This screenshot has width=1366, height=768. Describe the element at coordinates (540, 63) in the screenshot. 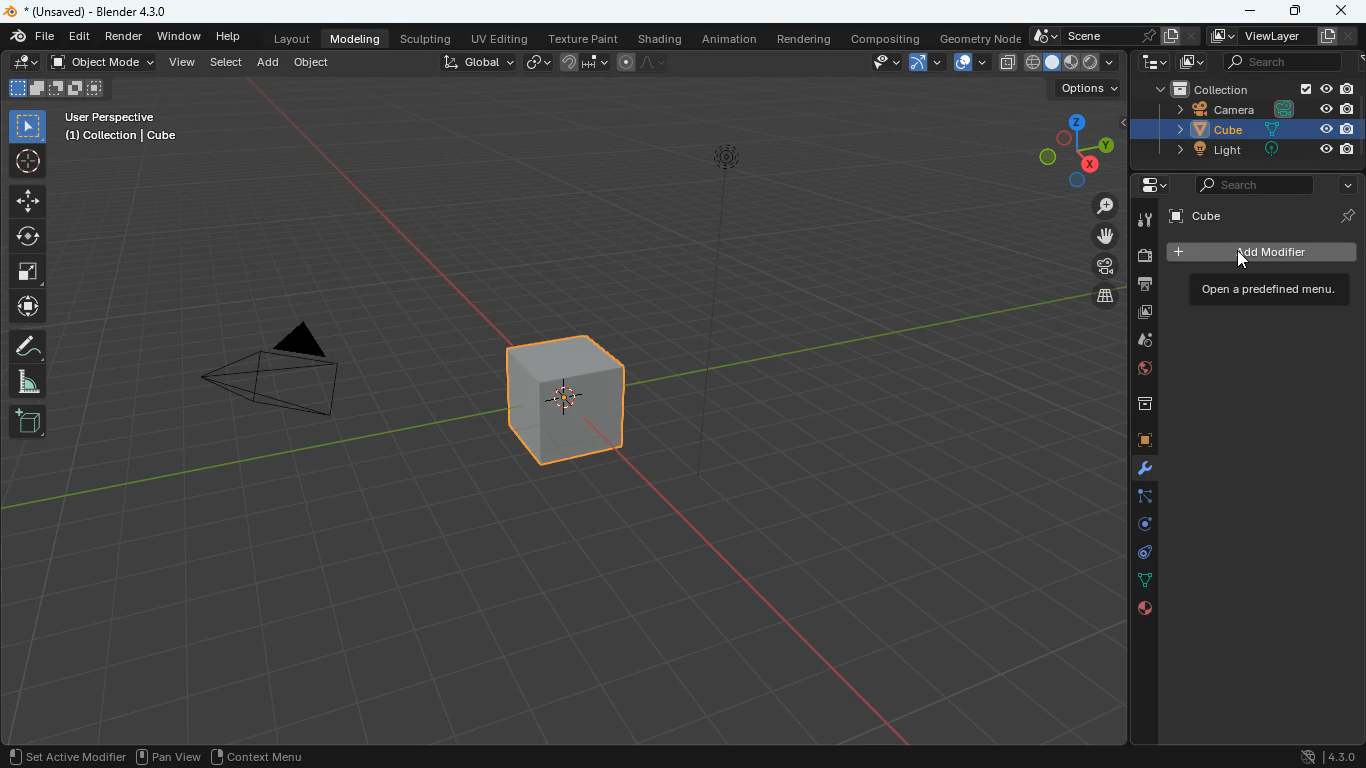

I see `link` at that location.